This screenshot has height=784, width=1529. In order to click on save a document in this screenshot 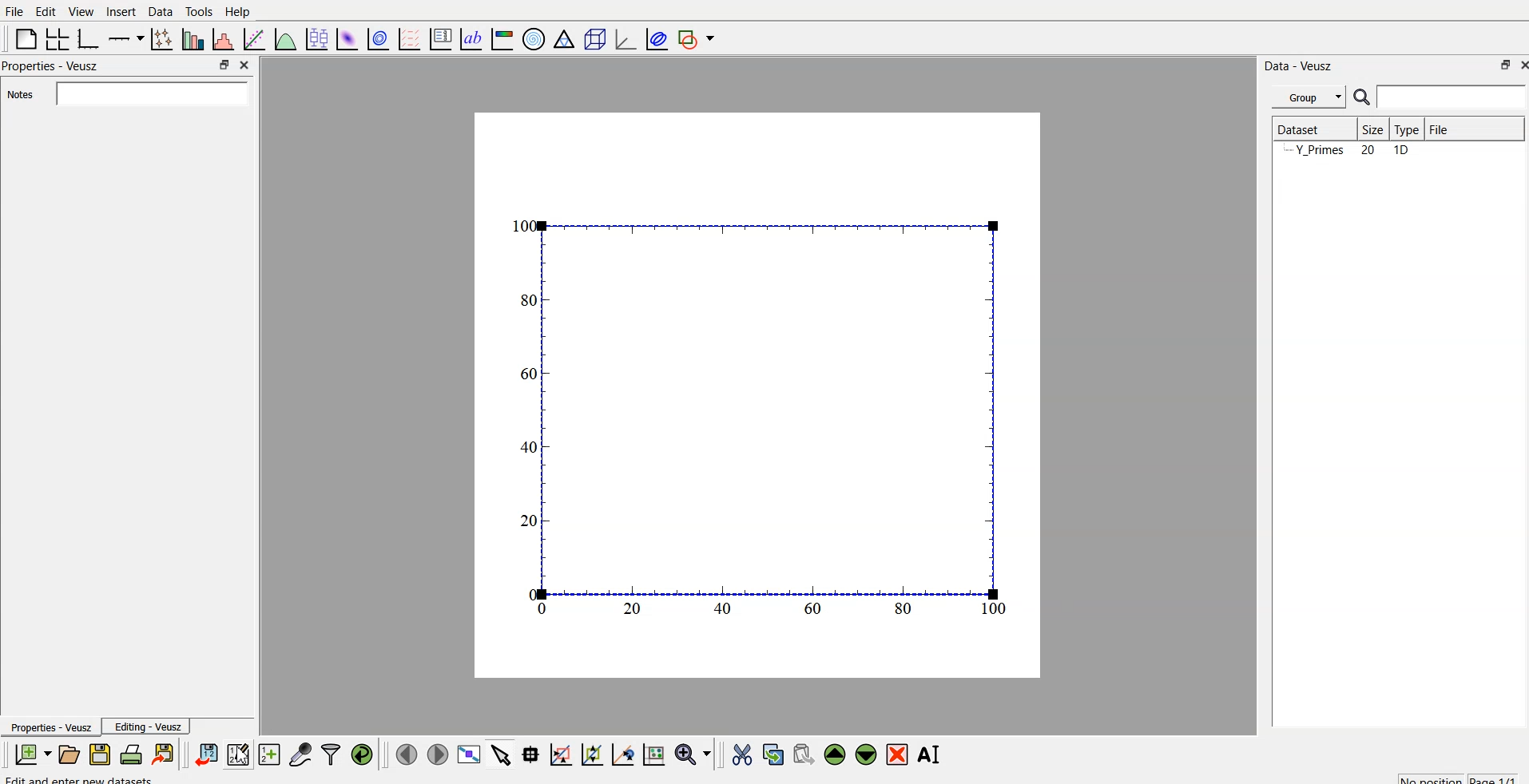, I will do `click(100, 755)`.